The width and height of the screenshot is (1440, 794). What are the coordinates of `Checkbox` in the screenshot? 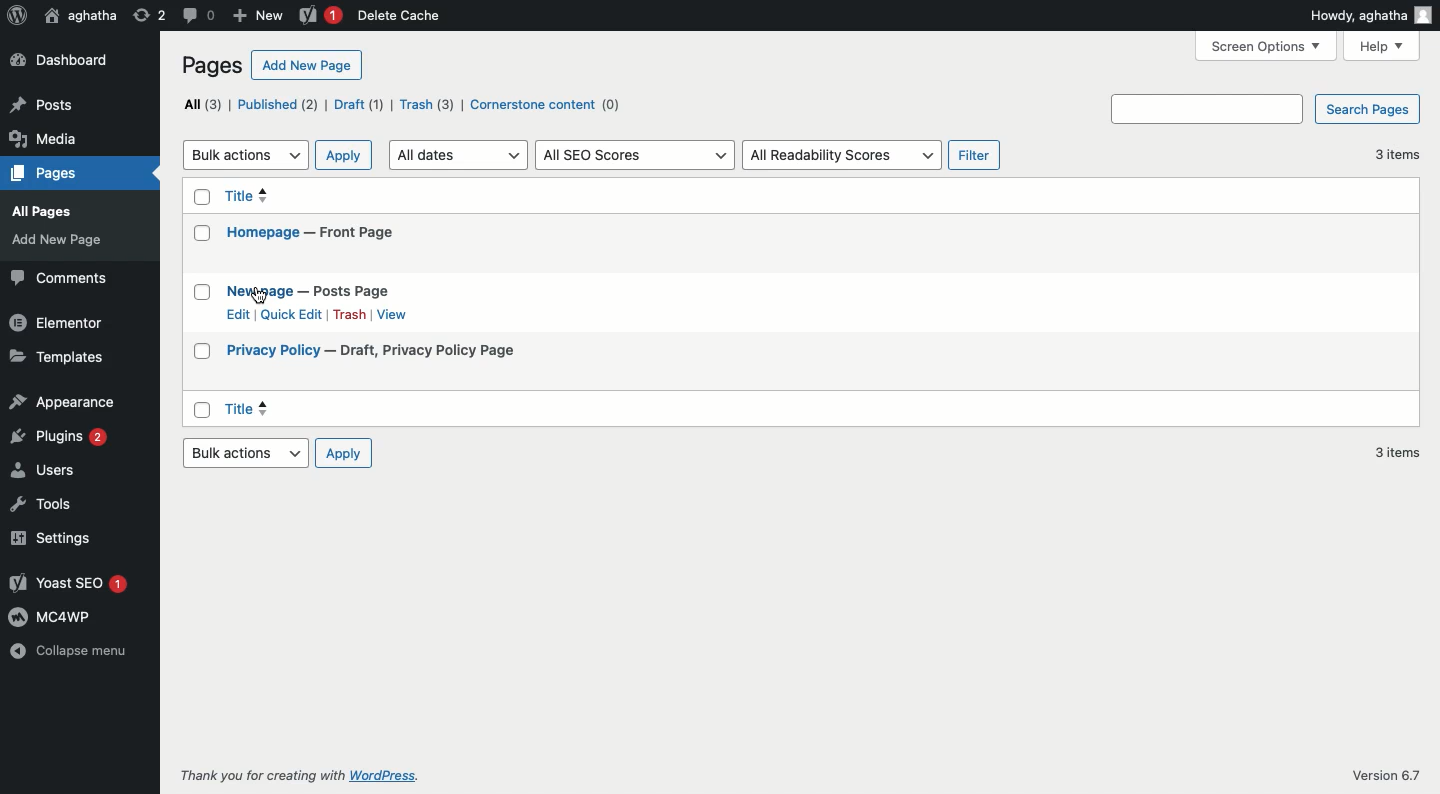 It's located at (204, 408).